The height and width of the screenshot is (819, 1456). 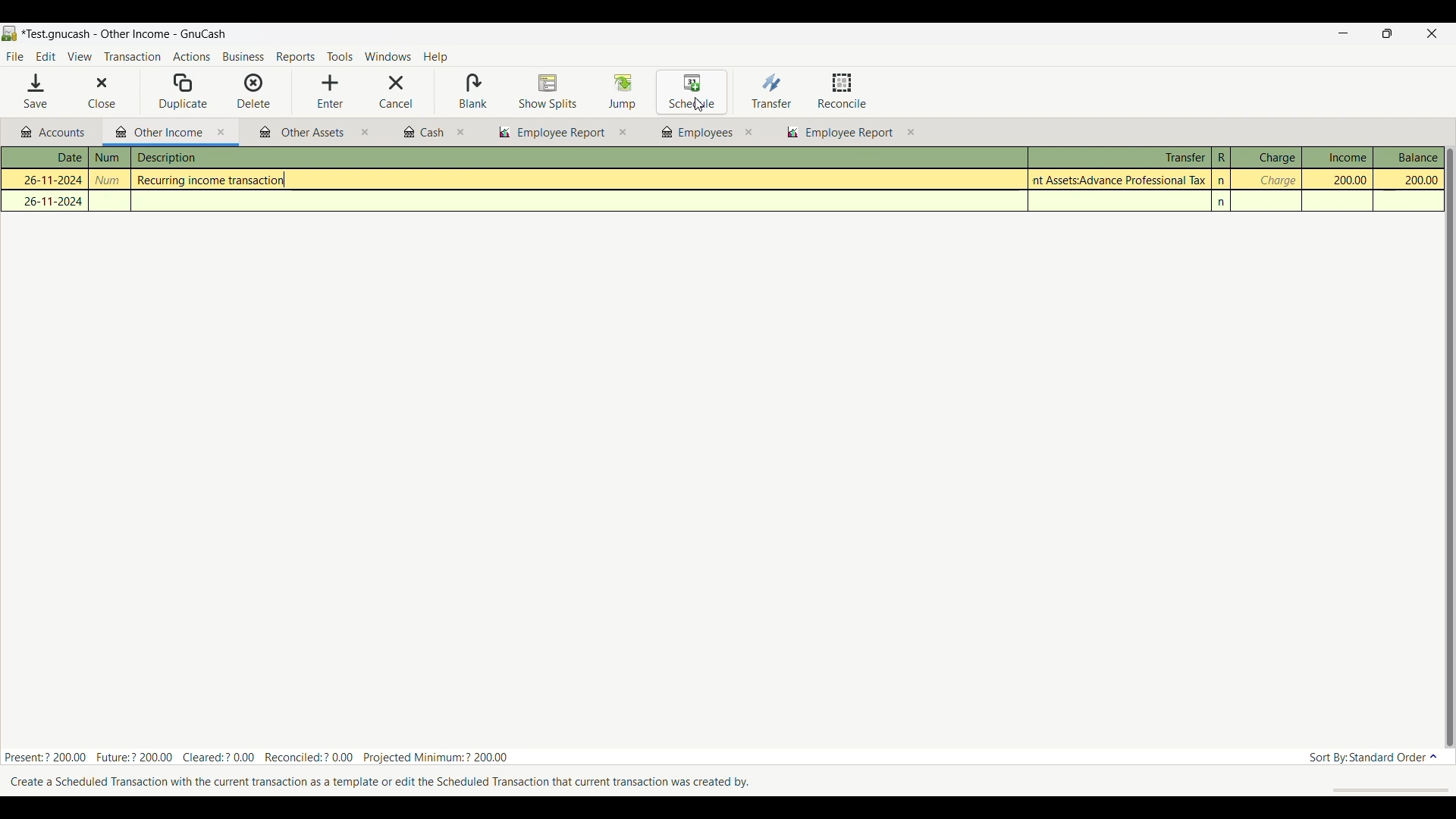 I want to click on Close current tab, so click(x=221, y=133).